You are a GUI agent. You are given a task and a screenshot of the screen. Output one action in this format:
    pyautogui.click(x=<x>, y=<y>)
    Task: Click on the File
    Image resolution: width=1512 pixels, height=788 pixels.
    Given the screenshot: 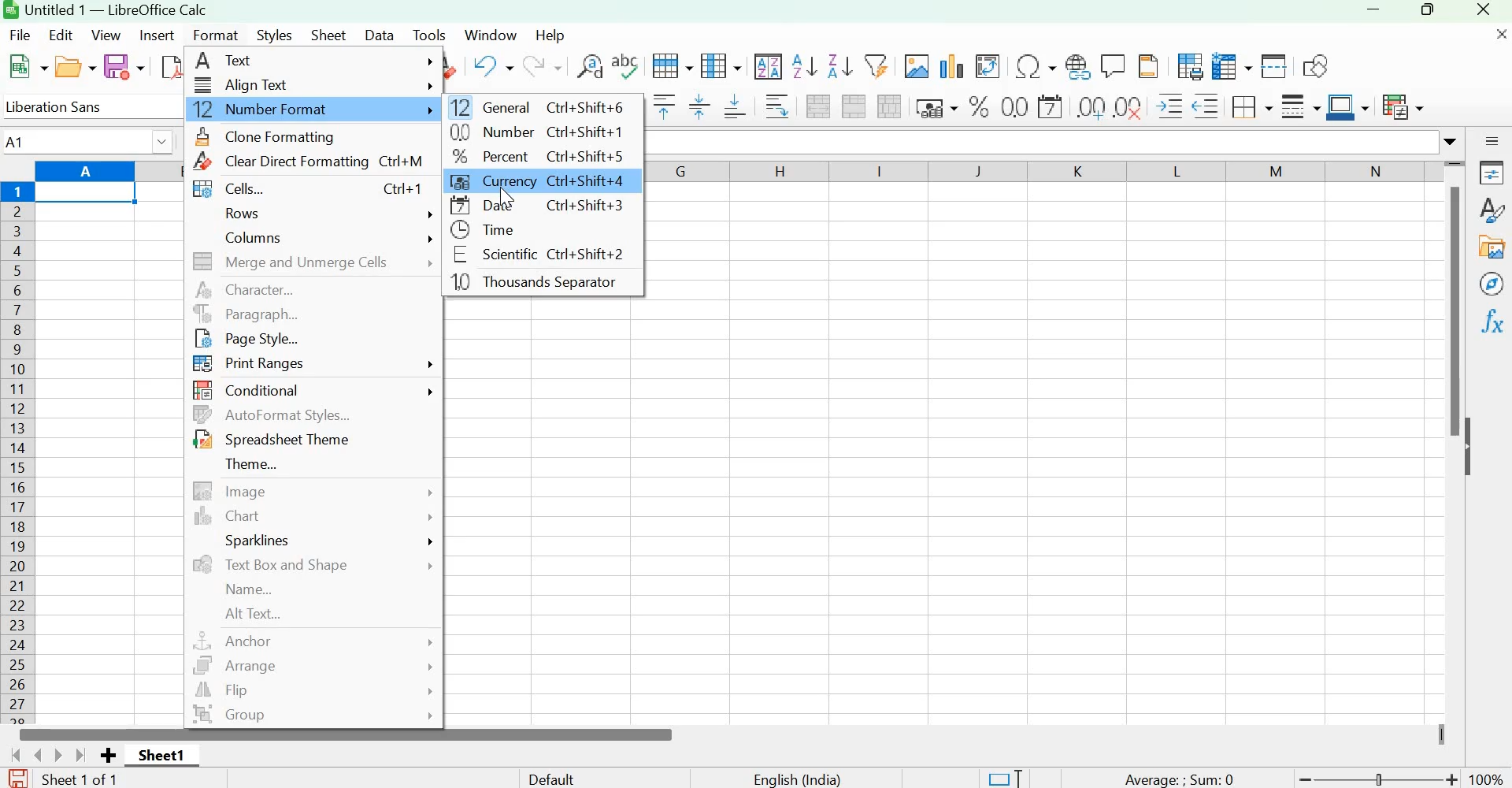 What is the action you would take?
    pyautogui.click(x=22, y=34)
    